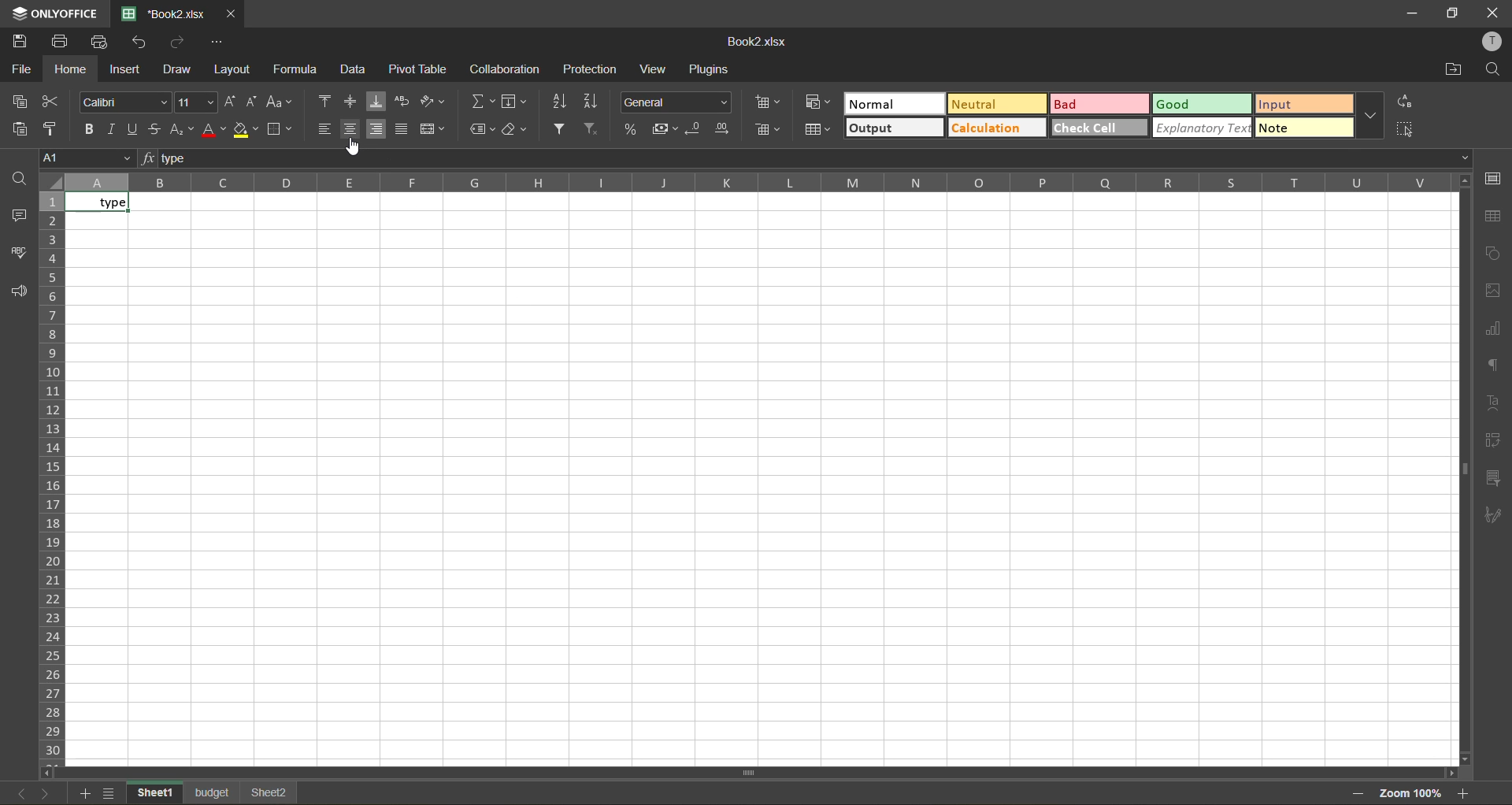 The width and height of the screenshot is (1512, 805). What do you see at coordinates (1408, 101) in the screenshot?
I see `replace` at bounding box center [1408, 101].